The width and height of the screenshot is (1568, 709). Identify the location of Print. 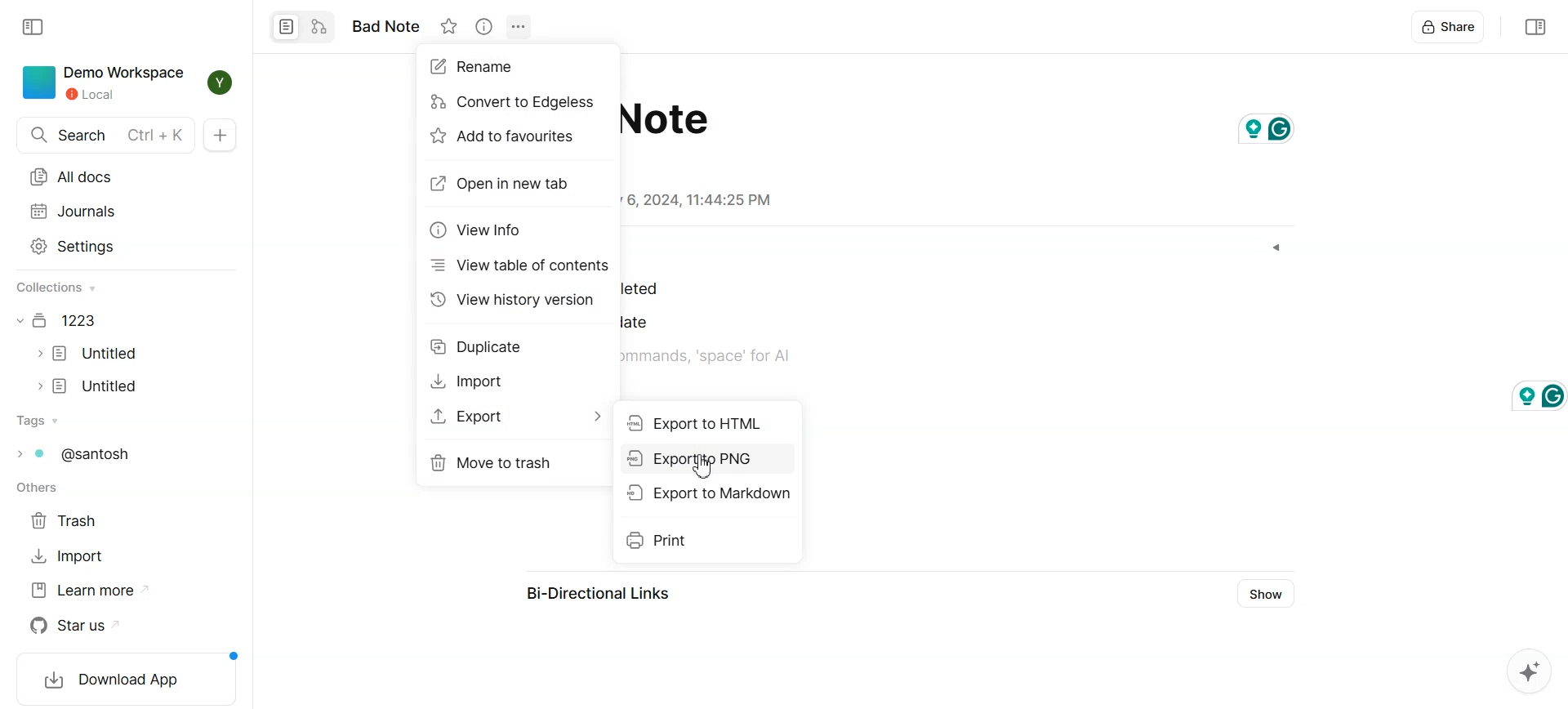
(707, 542).